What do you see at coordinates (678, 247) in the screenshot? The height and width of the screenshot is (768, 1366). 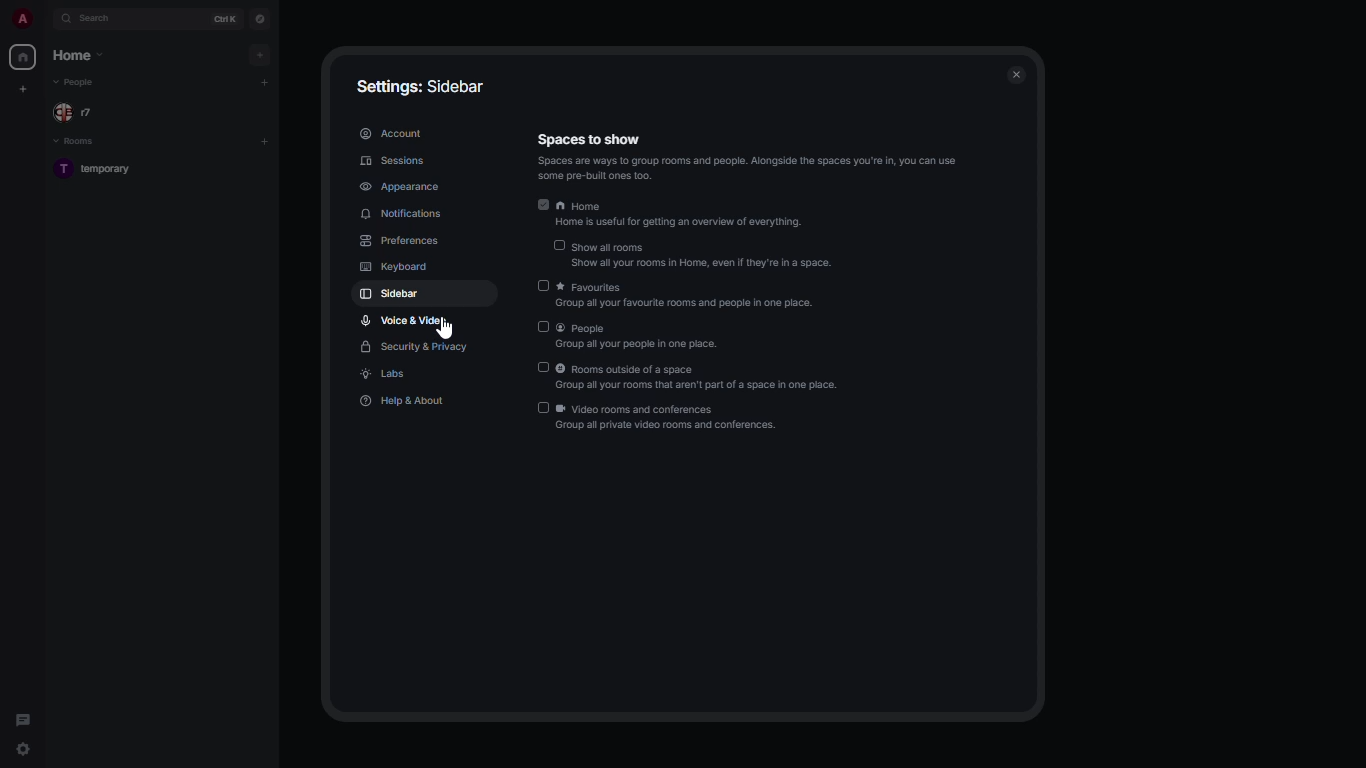 I see `show all rooms` at bounding box center [678, 247].